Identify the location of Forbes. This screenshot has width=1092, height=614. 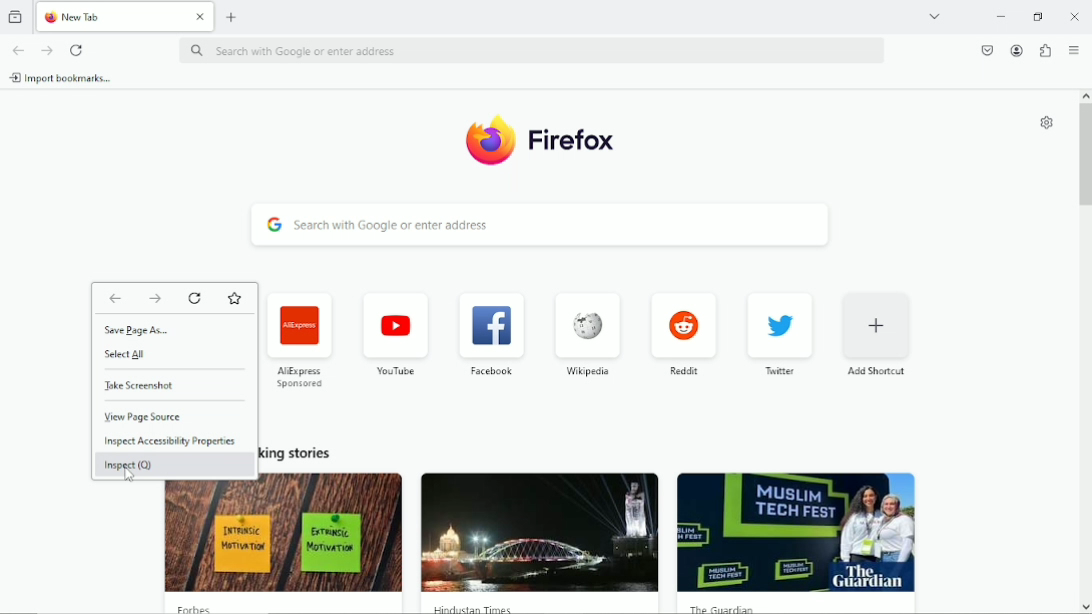
(200, 608).